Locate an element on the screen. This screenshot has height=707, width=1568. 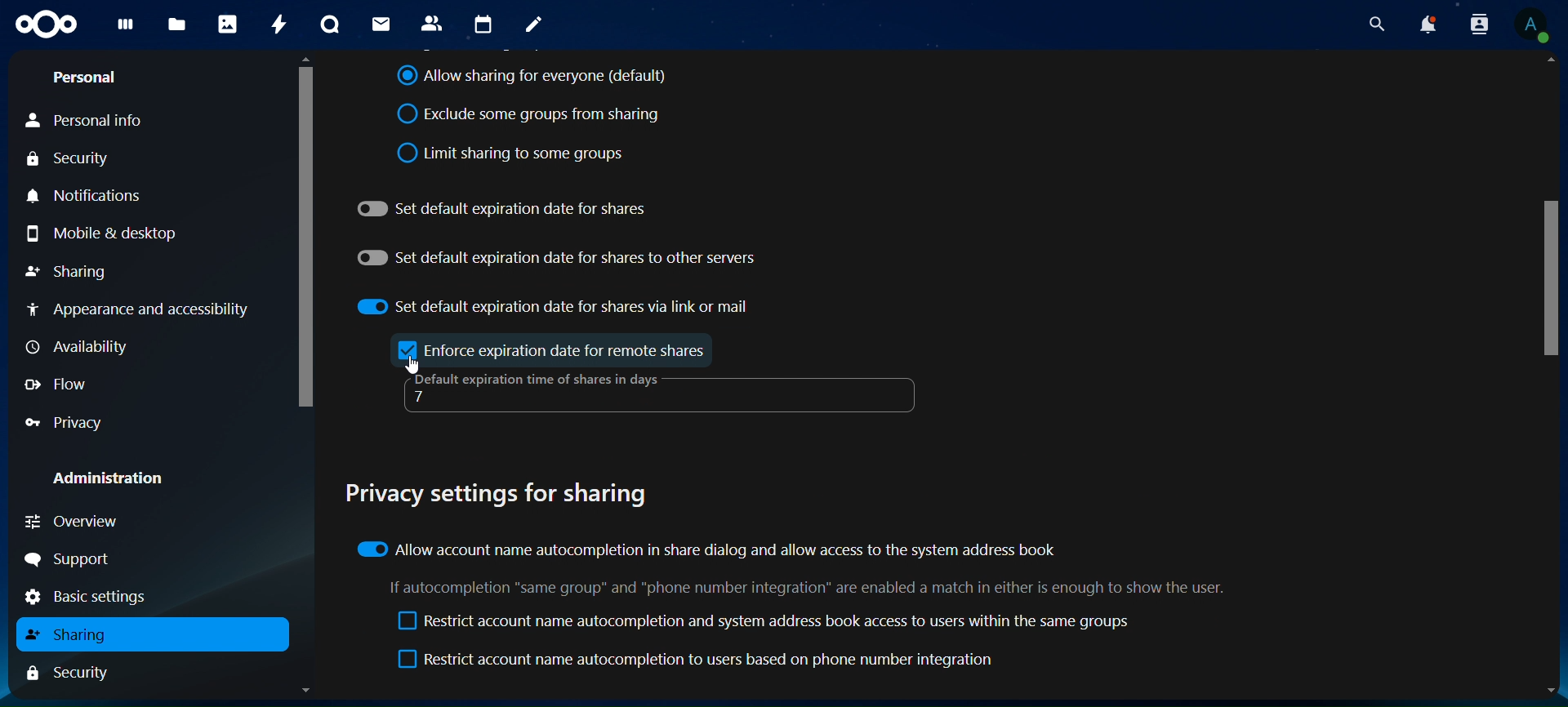
set default expiration date for shares is located at coordinates (503, 208).